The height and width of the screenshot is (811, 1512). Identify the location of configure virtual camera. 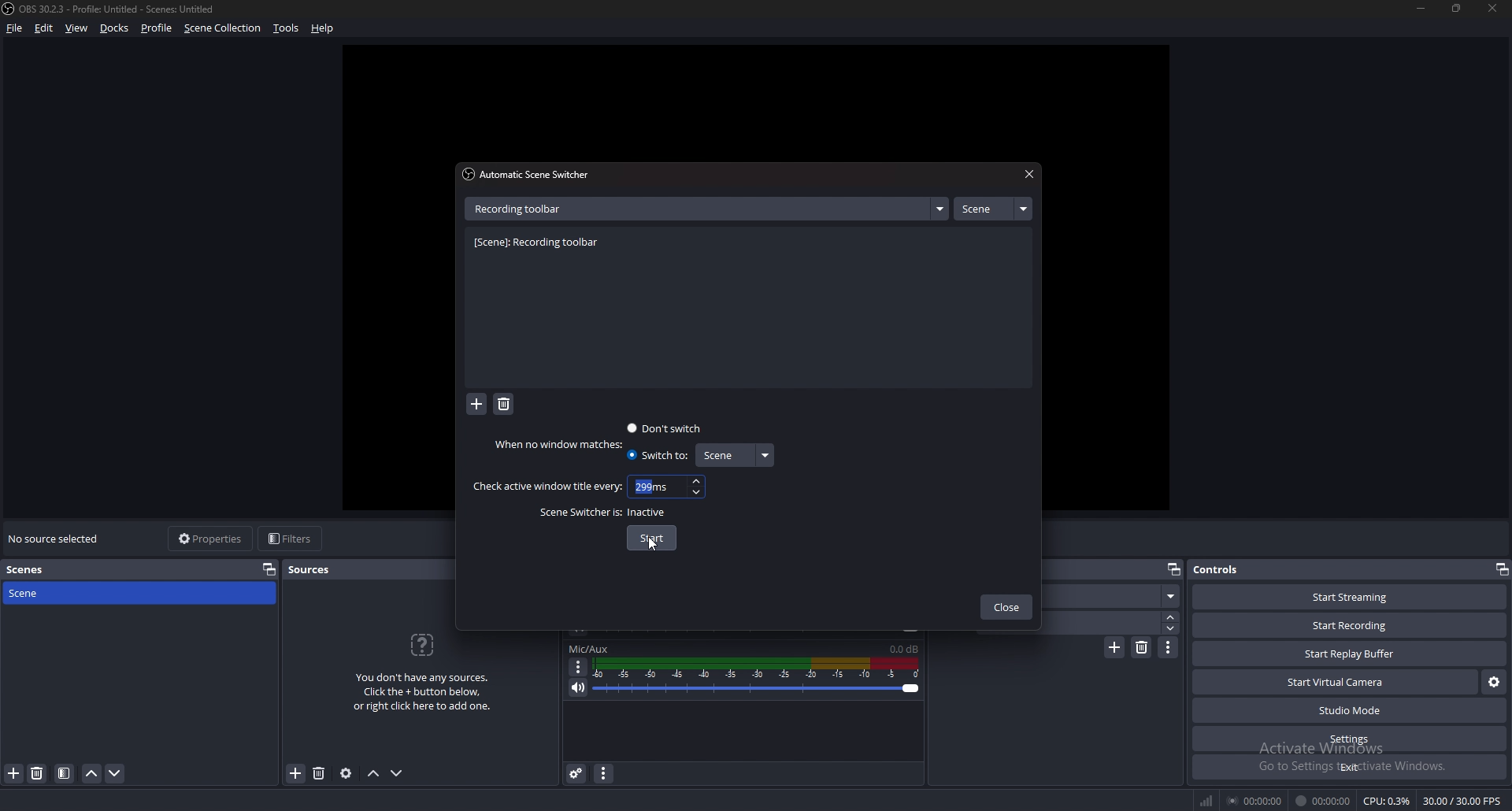
(1494, 680).